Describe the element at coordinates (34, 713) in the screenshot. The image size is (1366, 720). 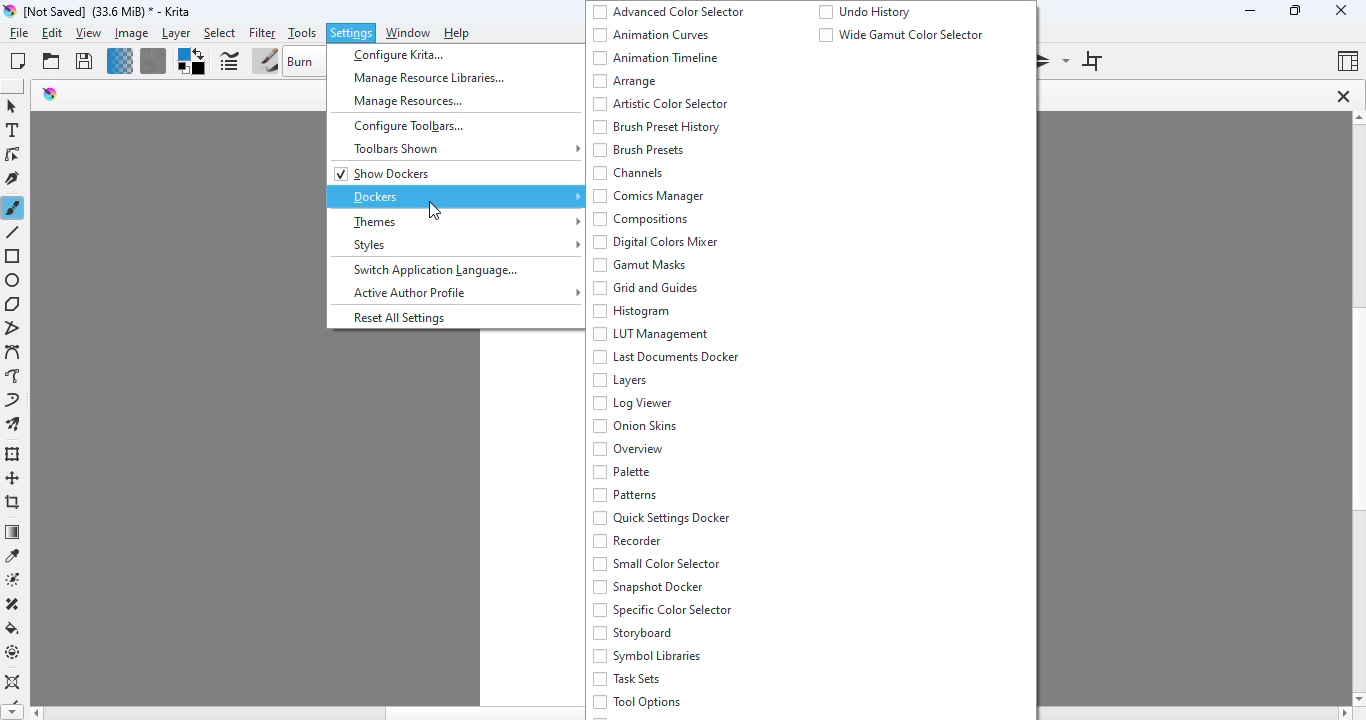
I see `scroll left` at that location.